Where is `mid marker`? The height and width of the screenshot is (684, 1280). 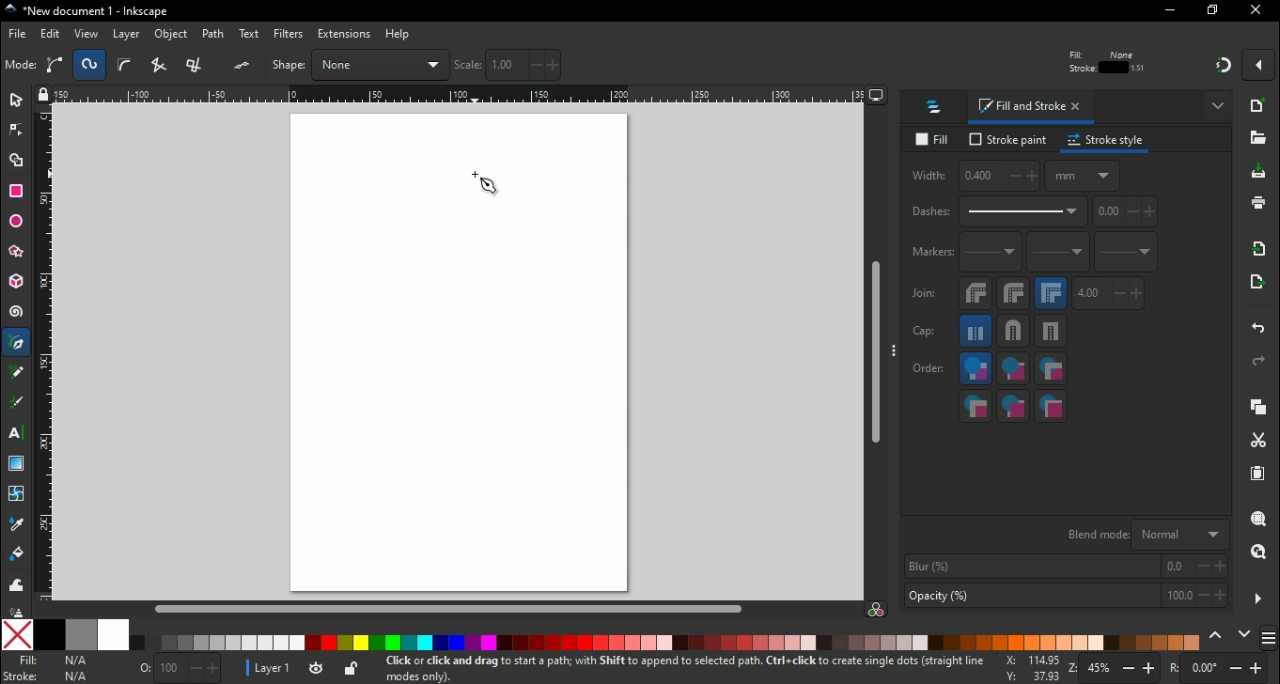 mid marker is located at coordinates (1061, 259).